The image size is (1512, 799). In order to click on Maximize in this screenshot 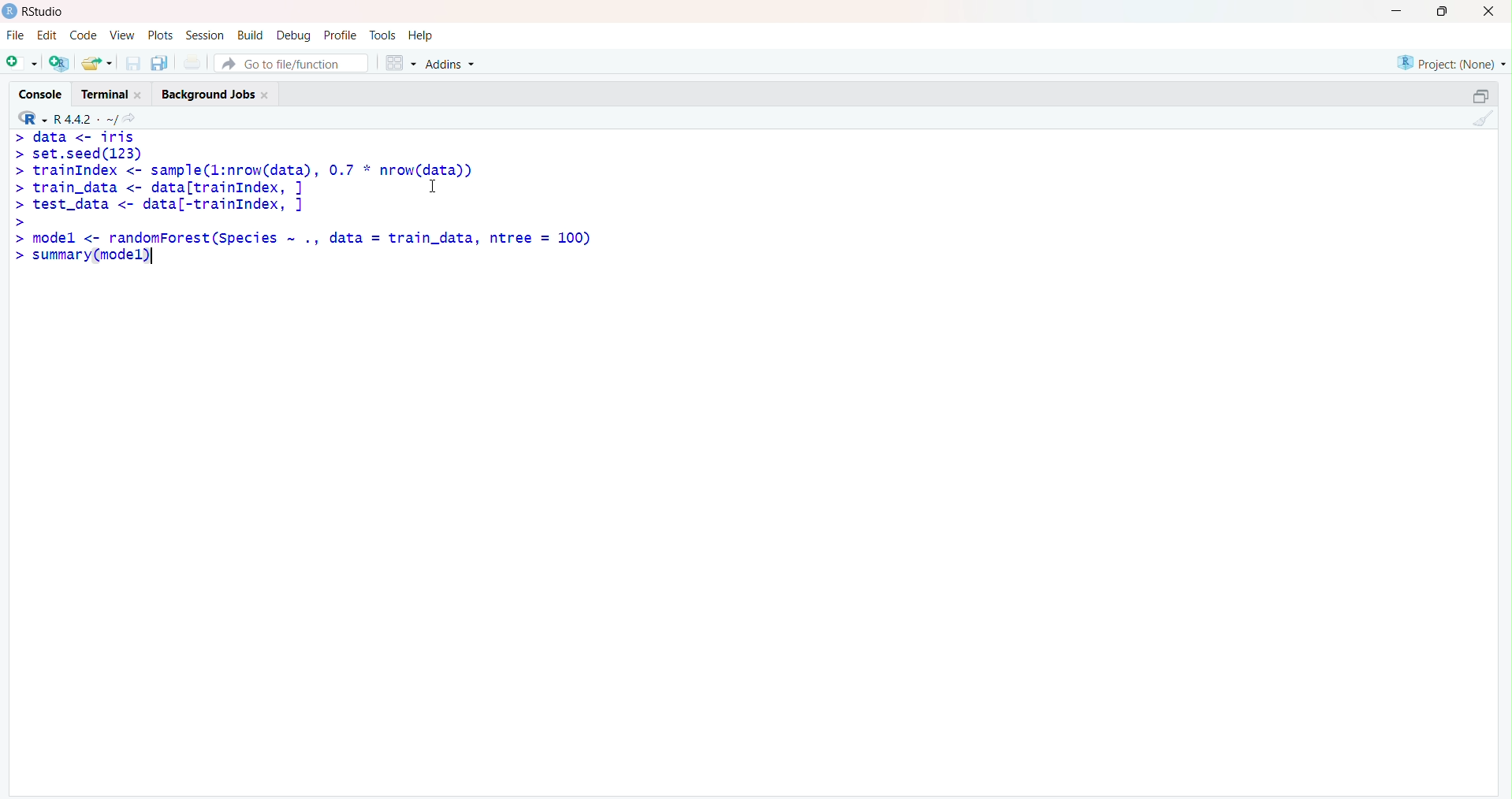, I will do `click(1441, 12)`.